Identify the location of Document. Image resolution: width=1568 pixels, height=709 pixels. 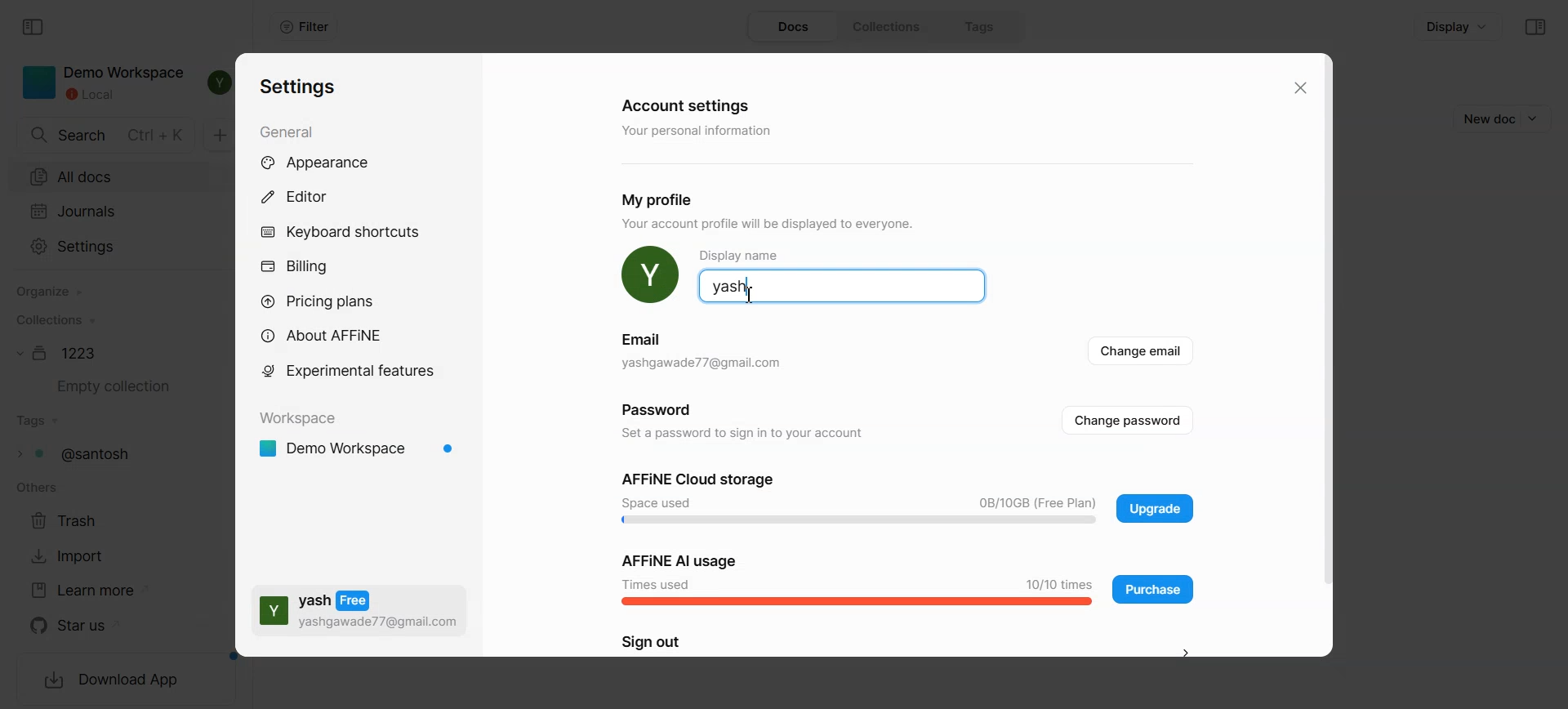
(61, 353).